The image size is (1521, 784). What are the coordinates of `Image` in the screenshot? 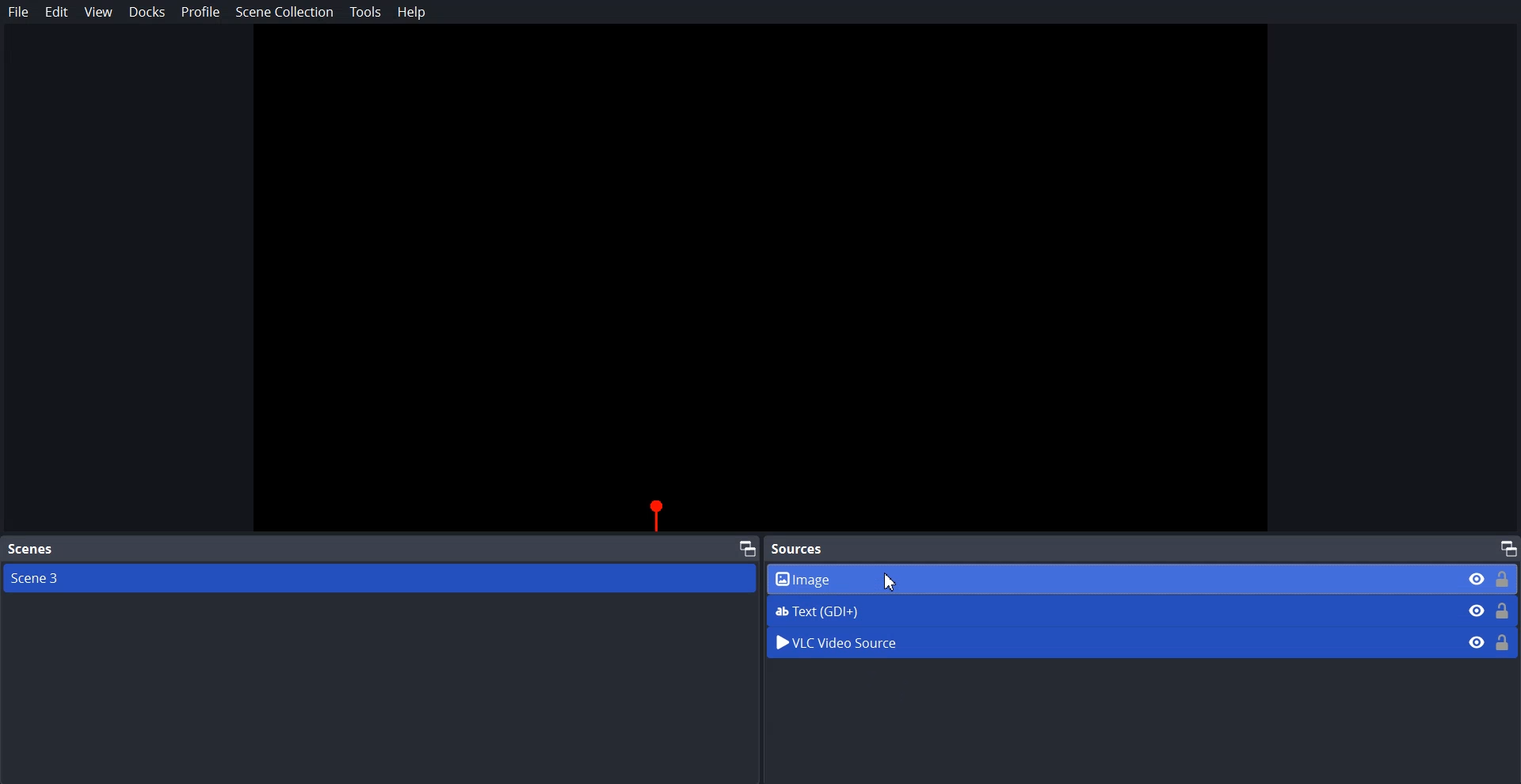 It's located at (1143, 578).